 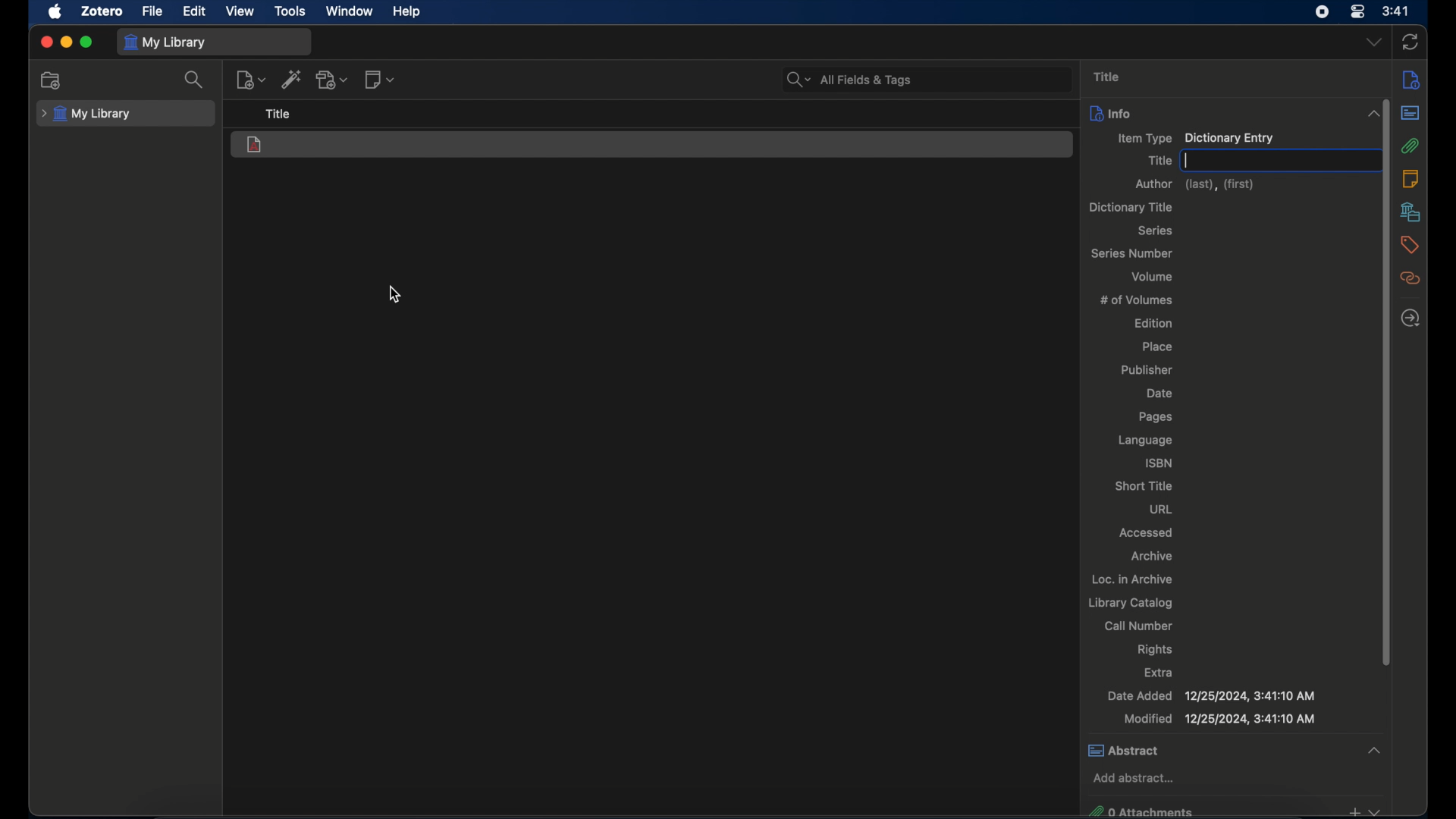 What do you see at coordinates (1134, 253) in the screenshot?
I see `series number` at bounding box center [1134, 253].